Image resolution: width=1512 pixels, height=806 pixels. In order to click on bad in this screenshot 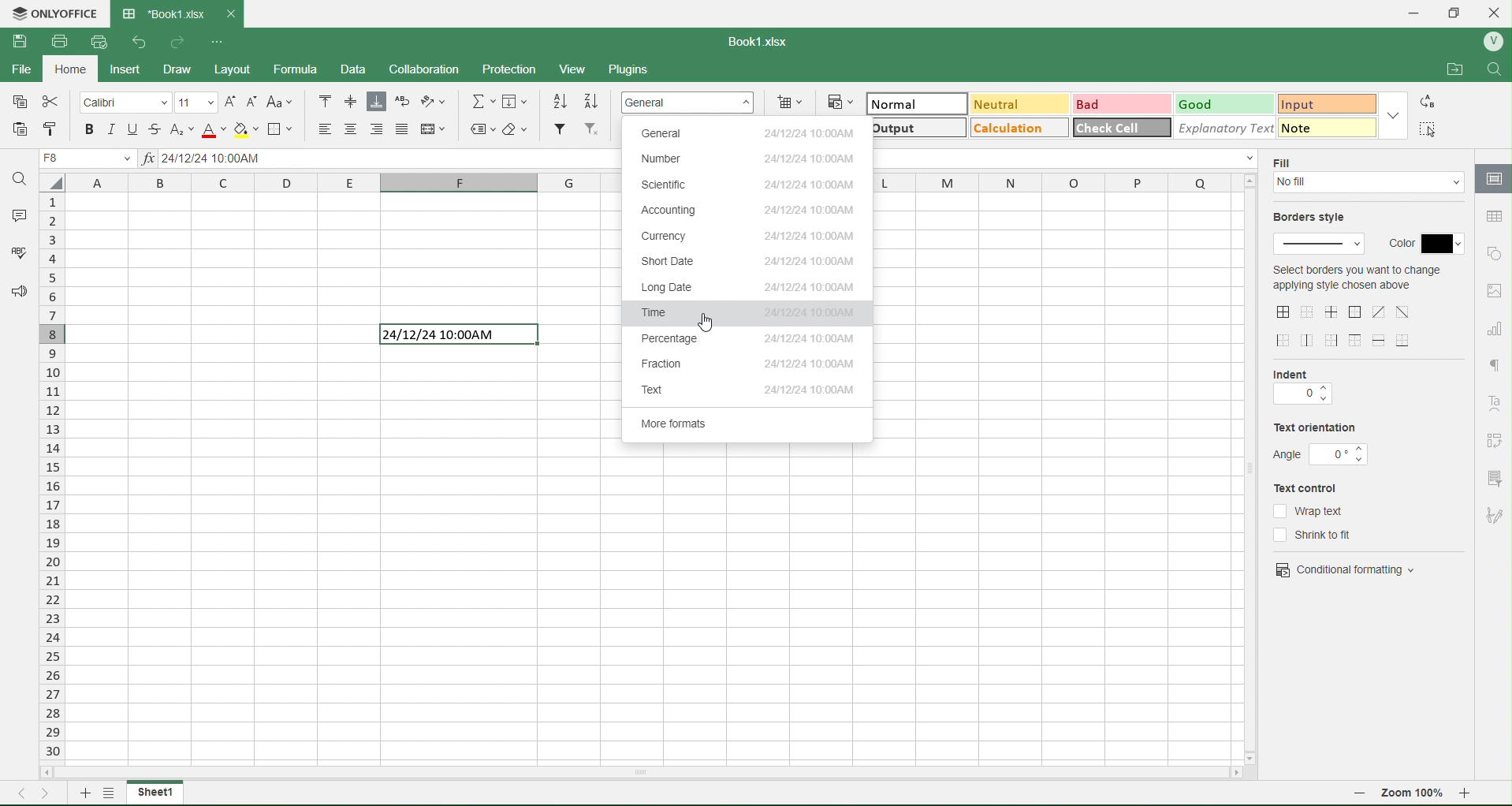, I will do `click(1092, 103)`.